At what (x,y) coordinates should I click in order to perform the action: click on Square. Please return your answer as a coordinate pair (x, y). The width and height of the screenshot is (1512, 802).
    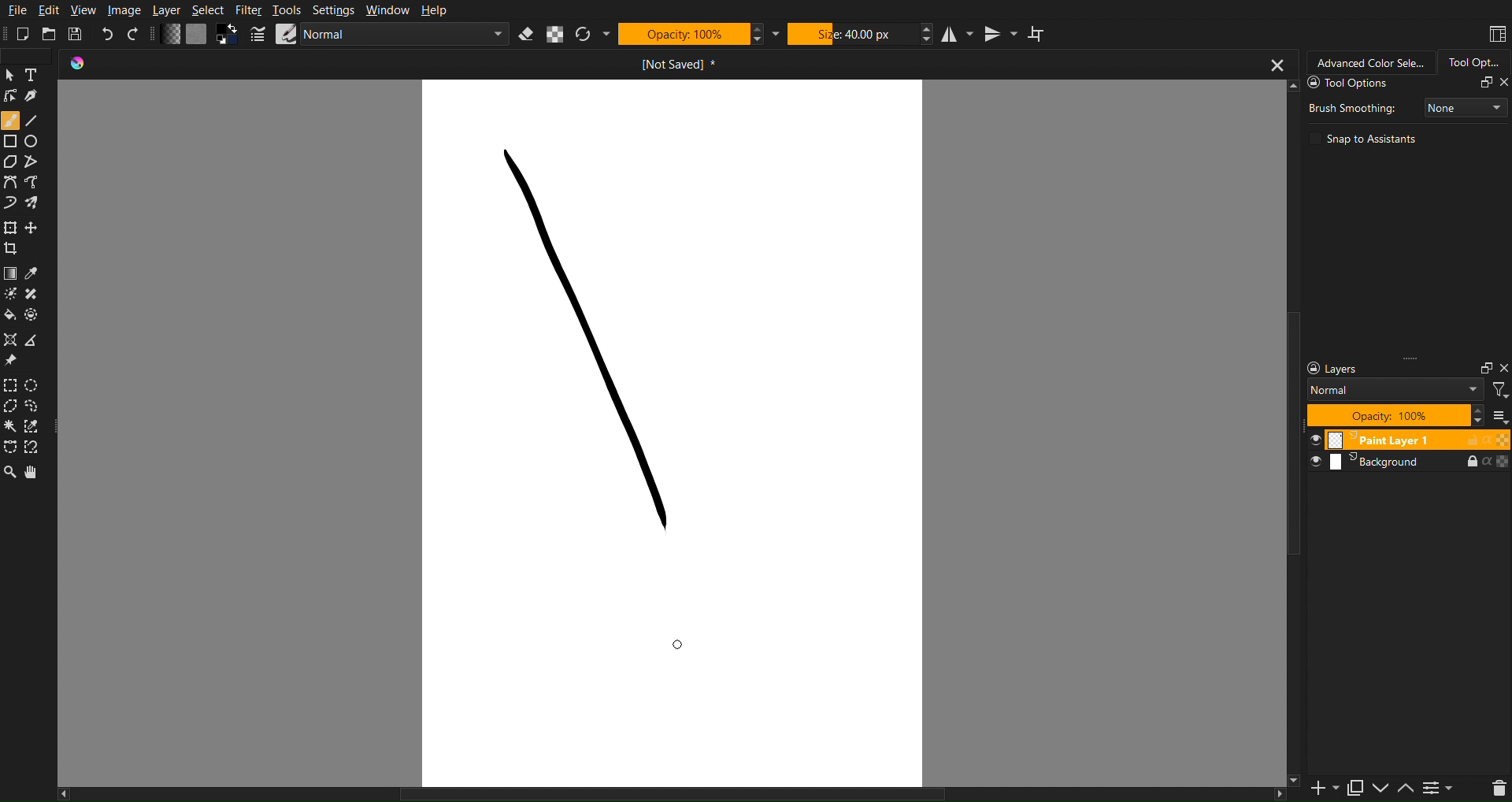
    Looking at the image, I should click on (10, 141).